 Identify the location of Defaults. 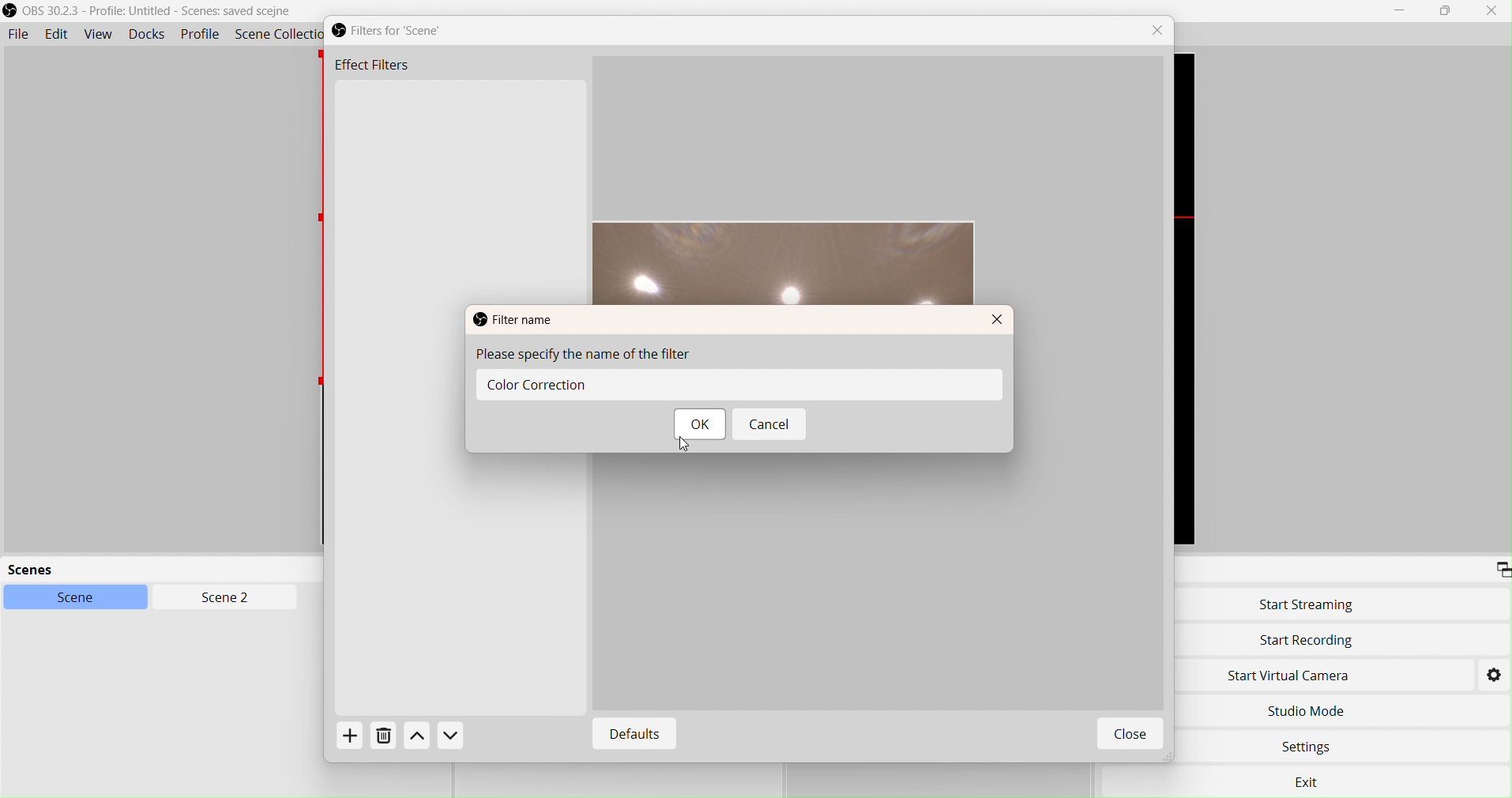
(630, 735).